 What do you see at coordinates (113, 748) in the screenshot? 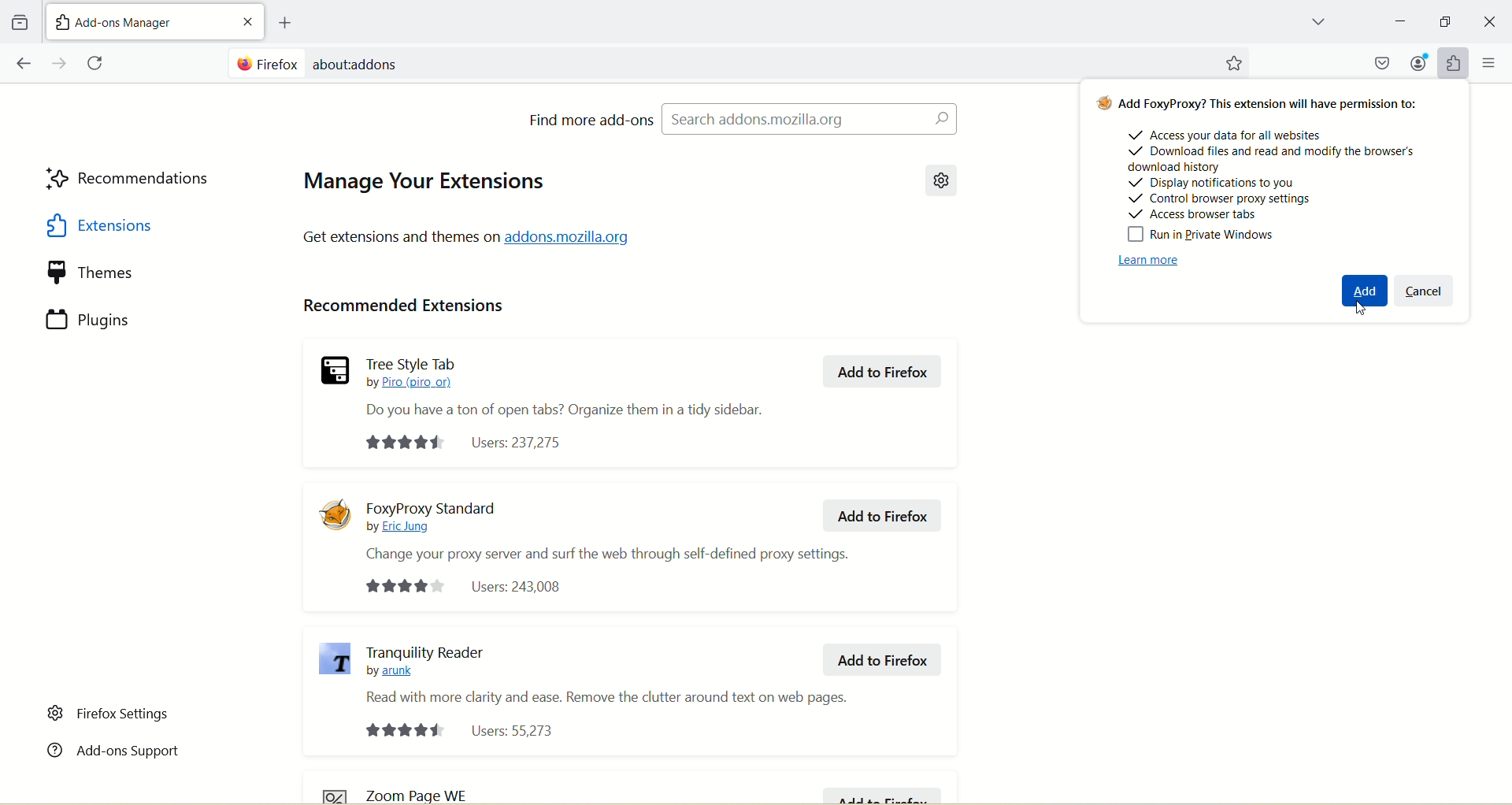
I see `Add-ons Support` at bounding box center [113, 748].